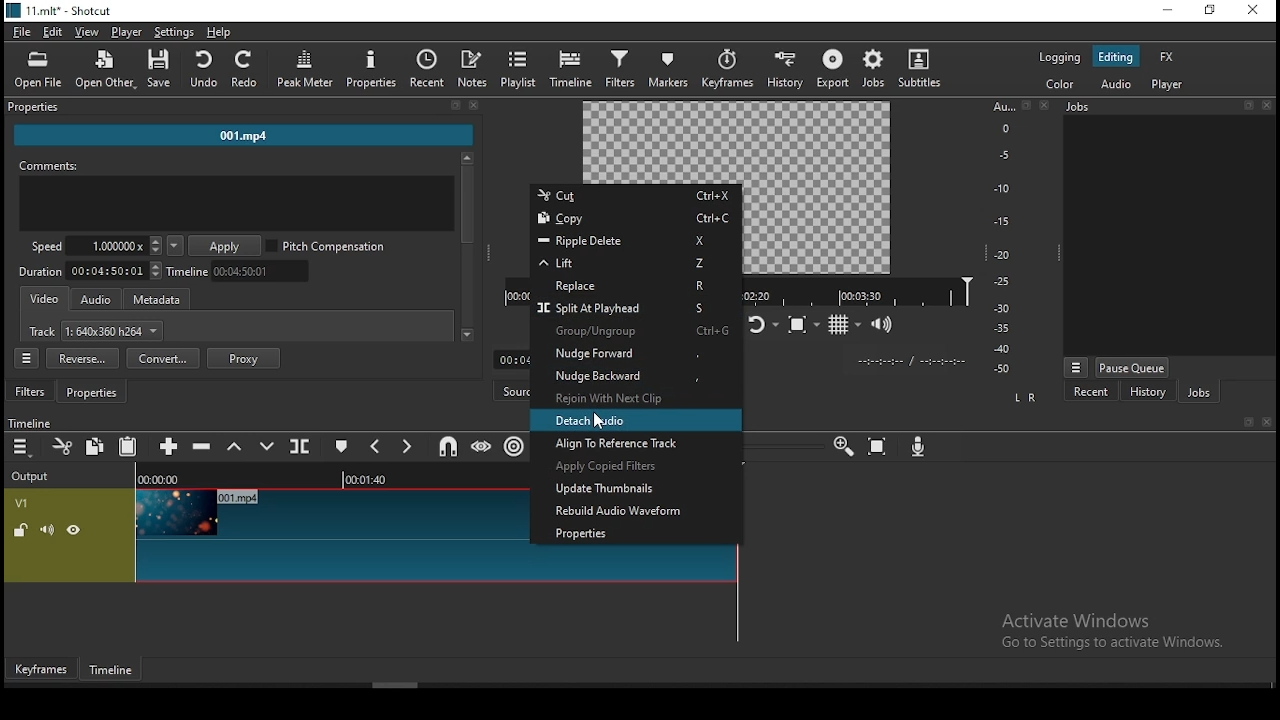  What do you see at coordinates (41, 670) in the screenshot?
I see `keyframes` at bounding box center [41, 670].